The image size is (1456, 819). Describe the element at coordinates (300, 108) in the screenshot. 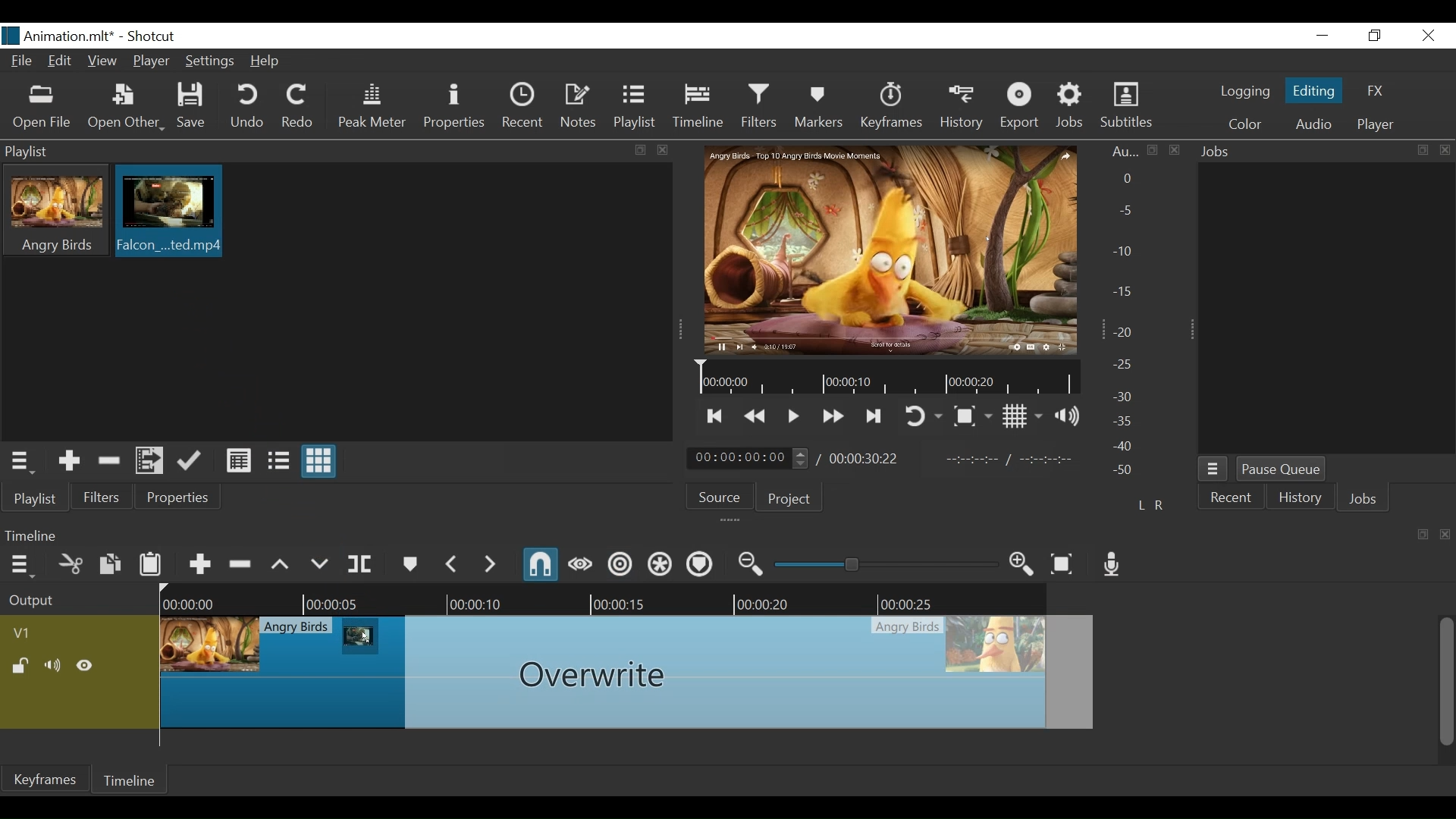

I see `Redo` at that location.